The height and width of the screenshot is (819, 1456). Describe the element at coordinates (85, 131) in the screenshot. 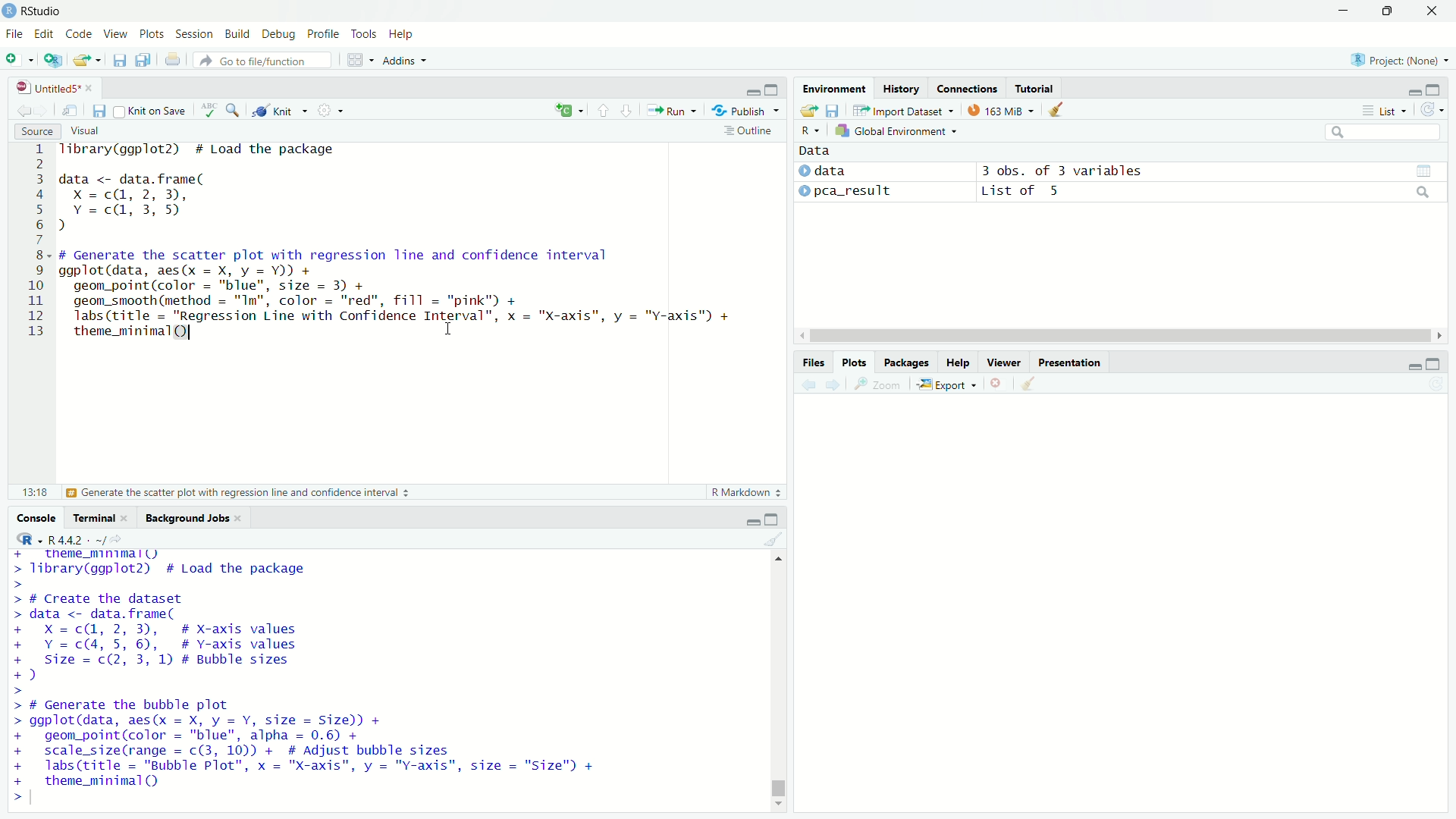

I see `Visual` at that location.